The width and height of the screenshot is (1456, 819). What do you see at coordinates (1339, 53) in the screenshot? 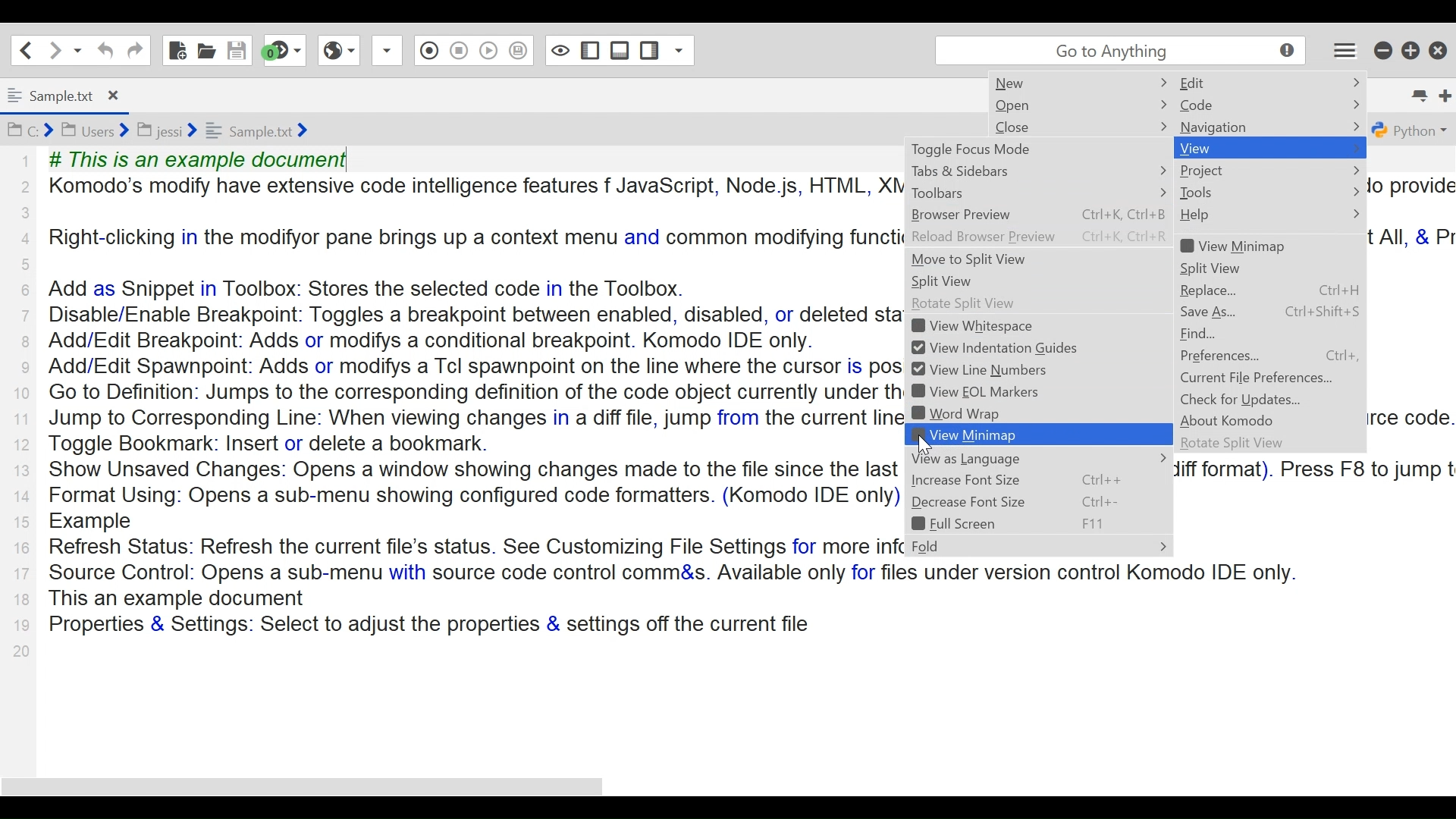
I see `Application menu` at bounding box center [1339, 53].